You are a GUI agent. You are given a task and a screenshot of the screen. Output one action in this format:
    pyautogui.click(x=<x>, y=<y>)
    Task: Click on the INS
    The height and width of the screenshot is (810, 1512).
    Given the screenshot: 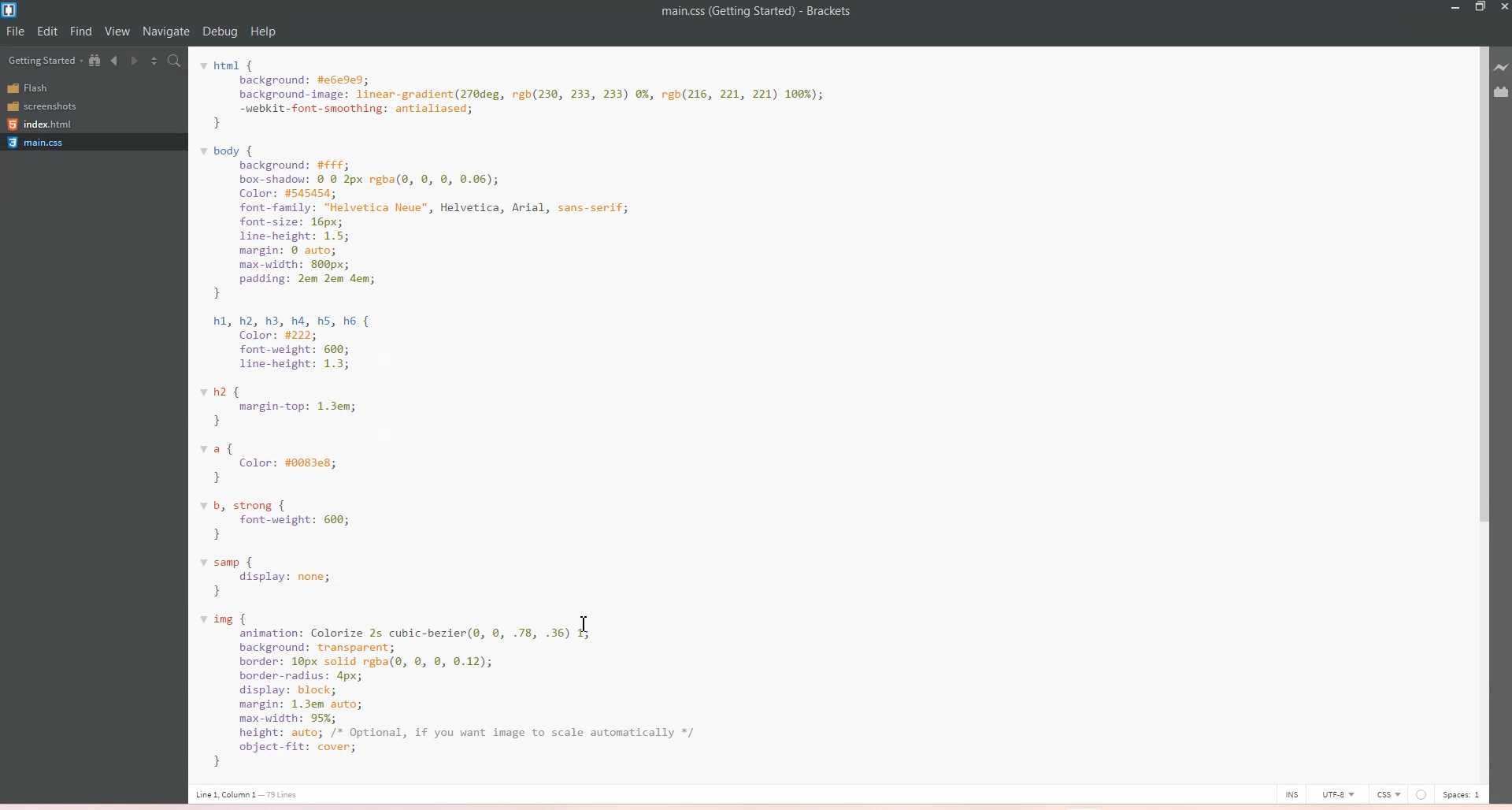 What is the action you would take?
    pyautogui.click(x=1291, y=793)
    